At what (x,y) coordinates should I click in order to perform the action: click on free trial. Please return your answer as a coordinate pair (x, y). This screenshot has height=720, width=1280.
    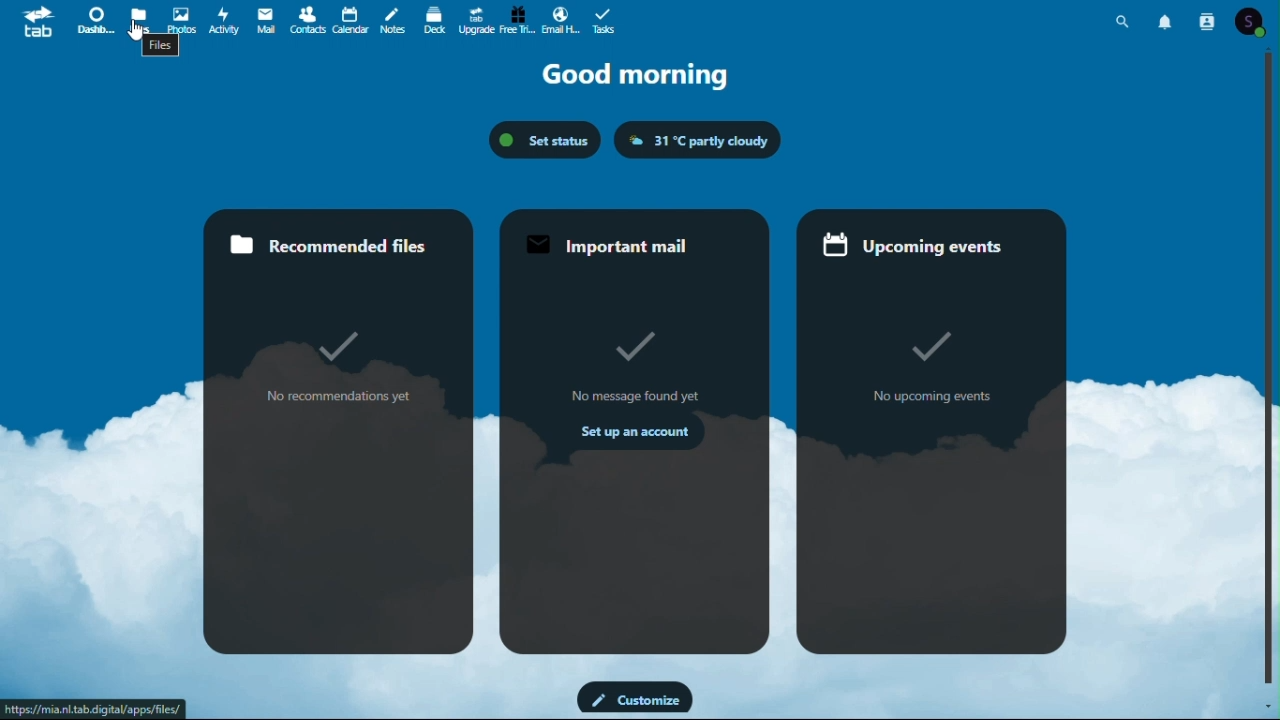
    Looking at the image, I should click on (516, 19).